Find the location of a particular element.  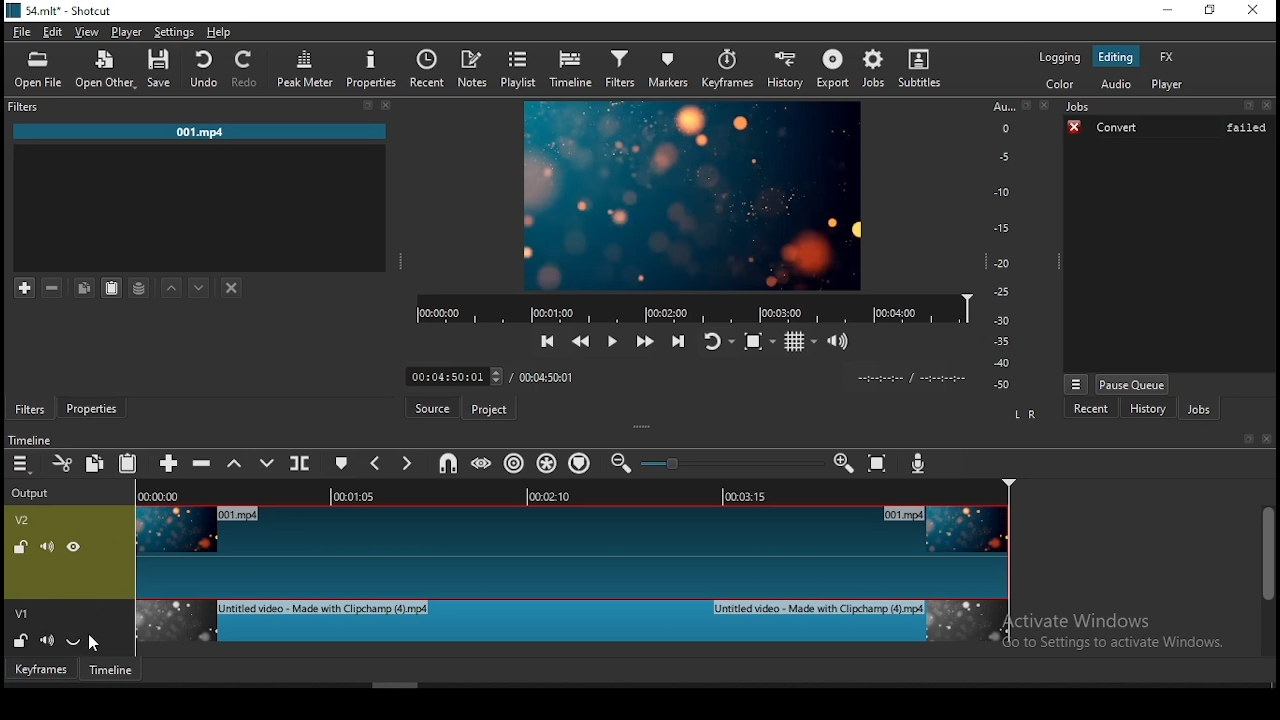

(un)lock is located at coordinates (18, 546).